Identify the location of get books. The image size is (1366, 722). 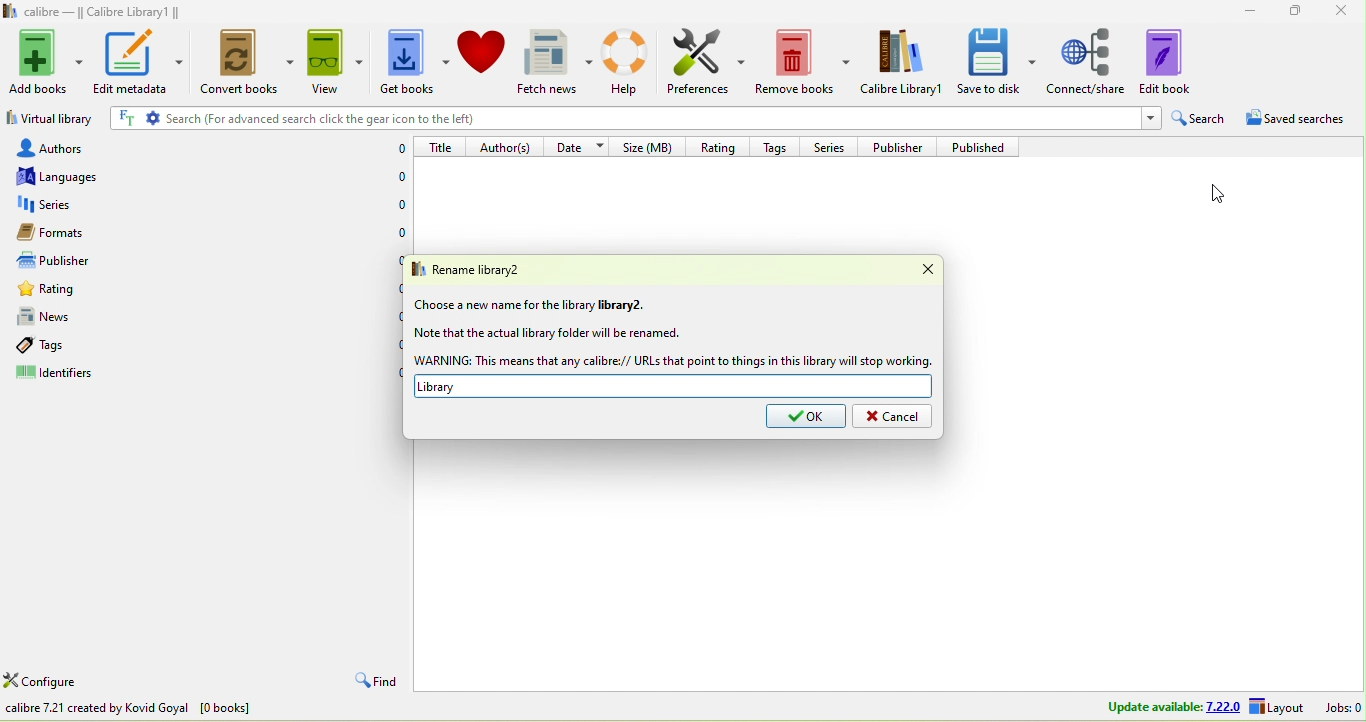
(411, 63).